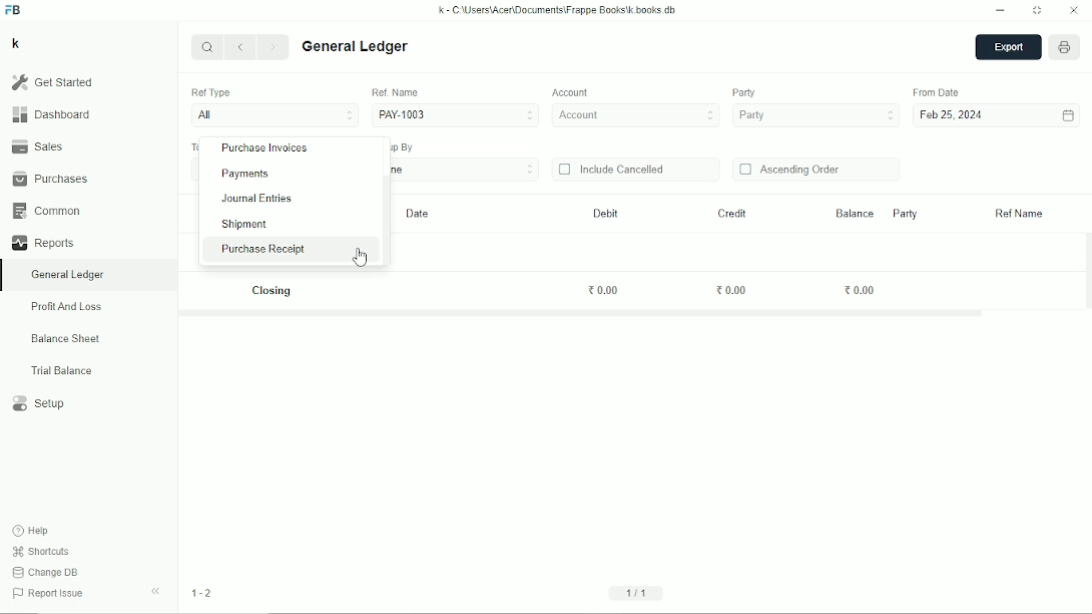 The height and width of the screenshot is (614, 1092). I want to click on k - C:\Users\Acer\Documents\Frappe books\k.books.db, so click(558, 10).